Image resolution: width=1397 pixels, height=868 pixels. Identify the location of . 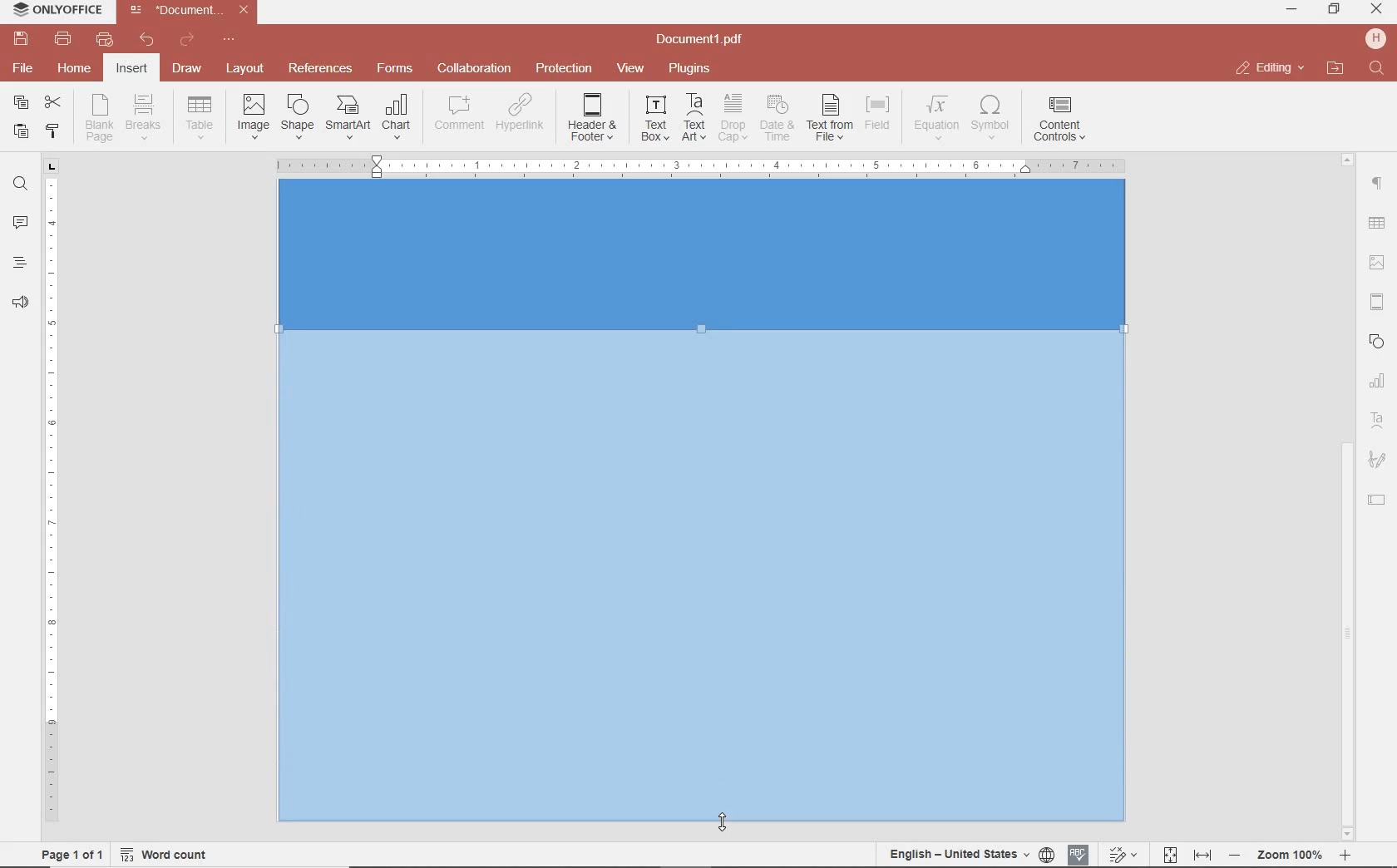
(1290, 856).